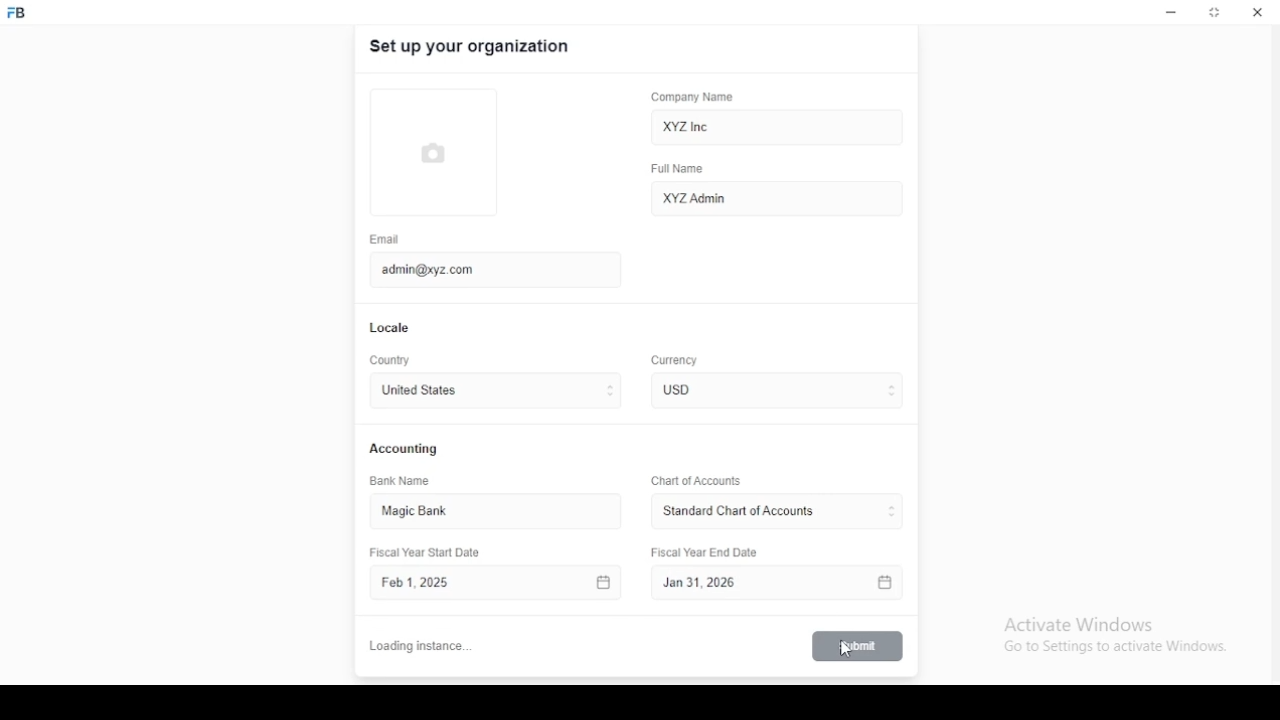  Describe the element at coordinates (771, 583) in the screenshot. I see `Fiscal Year End Date` at that location.